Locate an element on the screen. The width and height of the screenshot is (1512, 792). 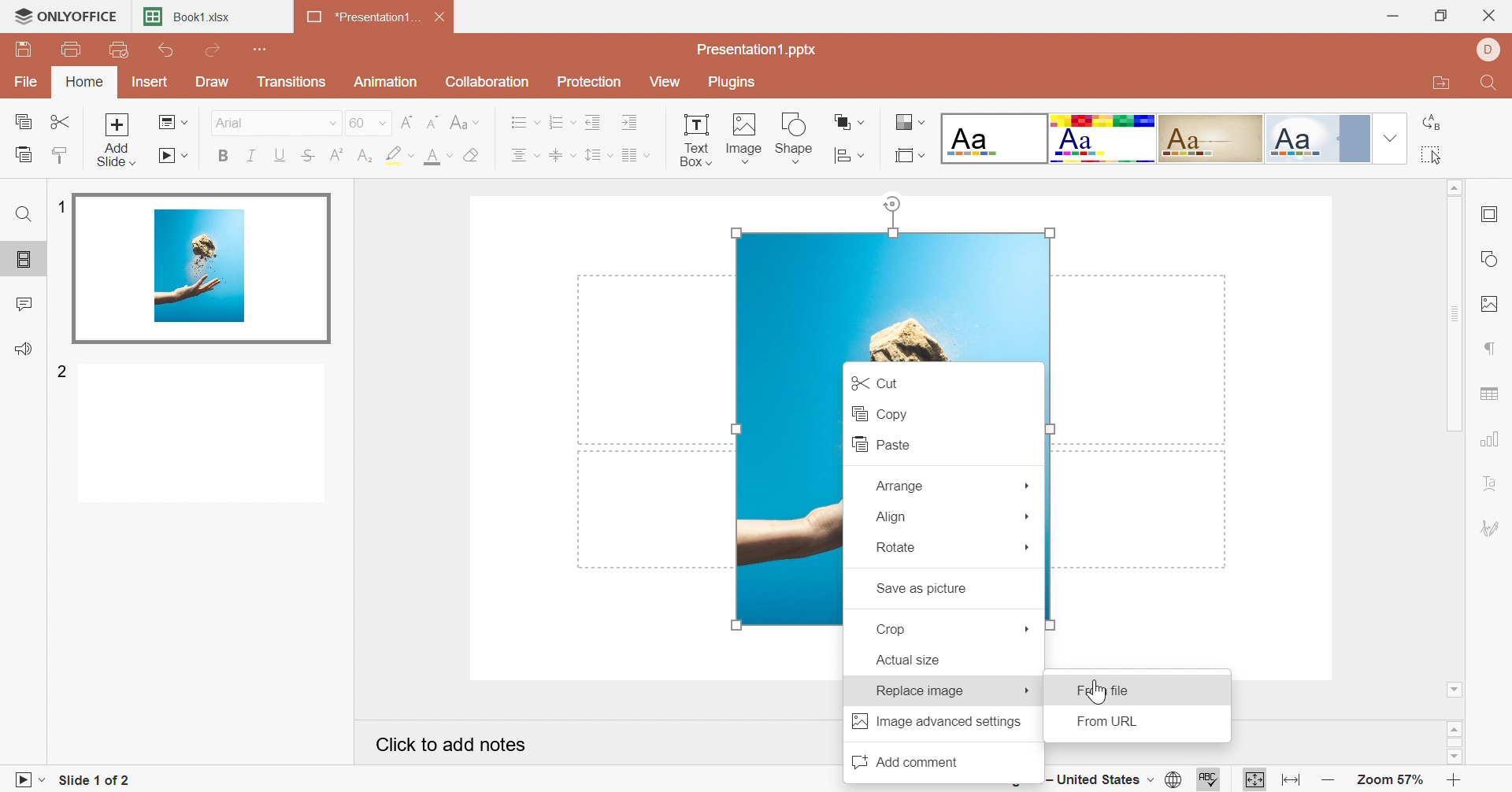
Find is located at coordinates (1492, 84).